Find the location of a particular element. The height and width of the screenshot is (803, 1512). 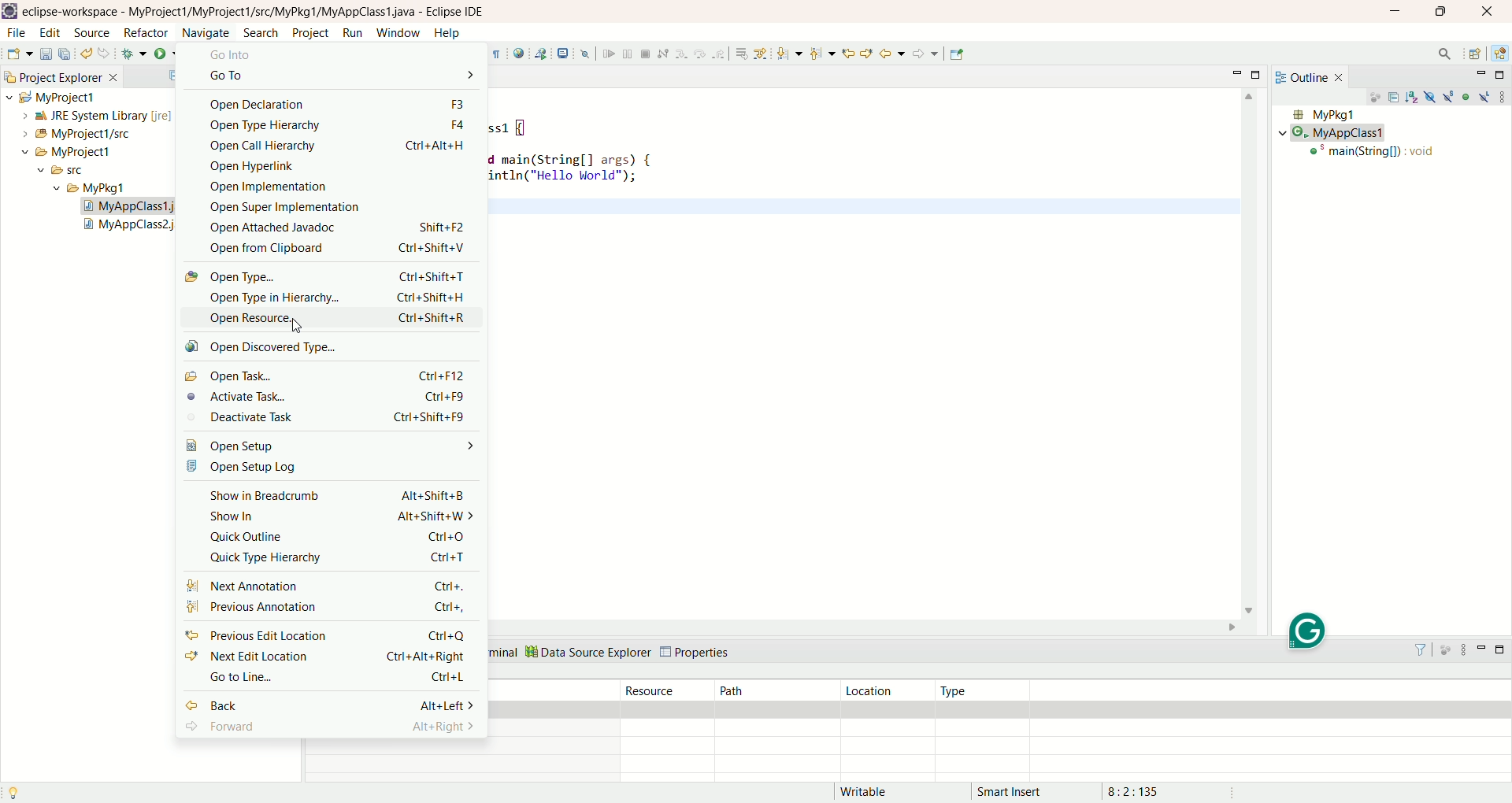

smart insert is located at coordinates (1021, 791).